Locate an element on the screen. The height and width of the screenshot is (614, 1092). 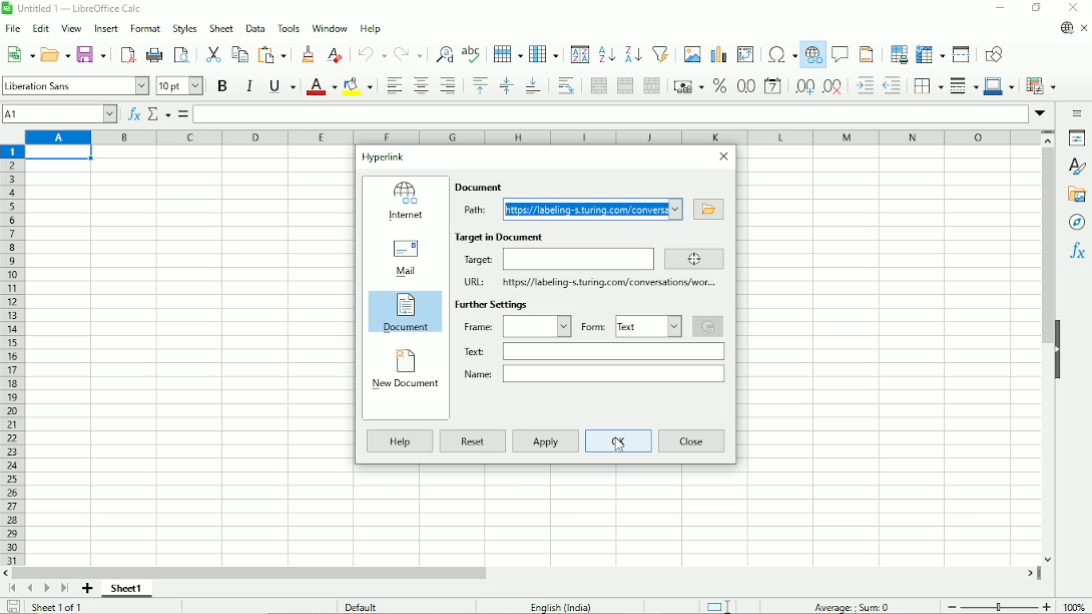
Default is located at coordinates (364, 606).